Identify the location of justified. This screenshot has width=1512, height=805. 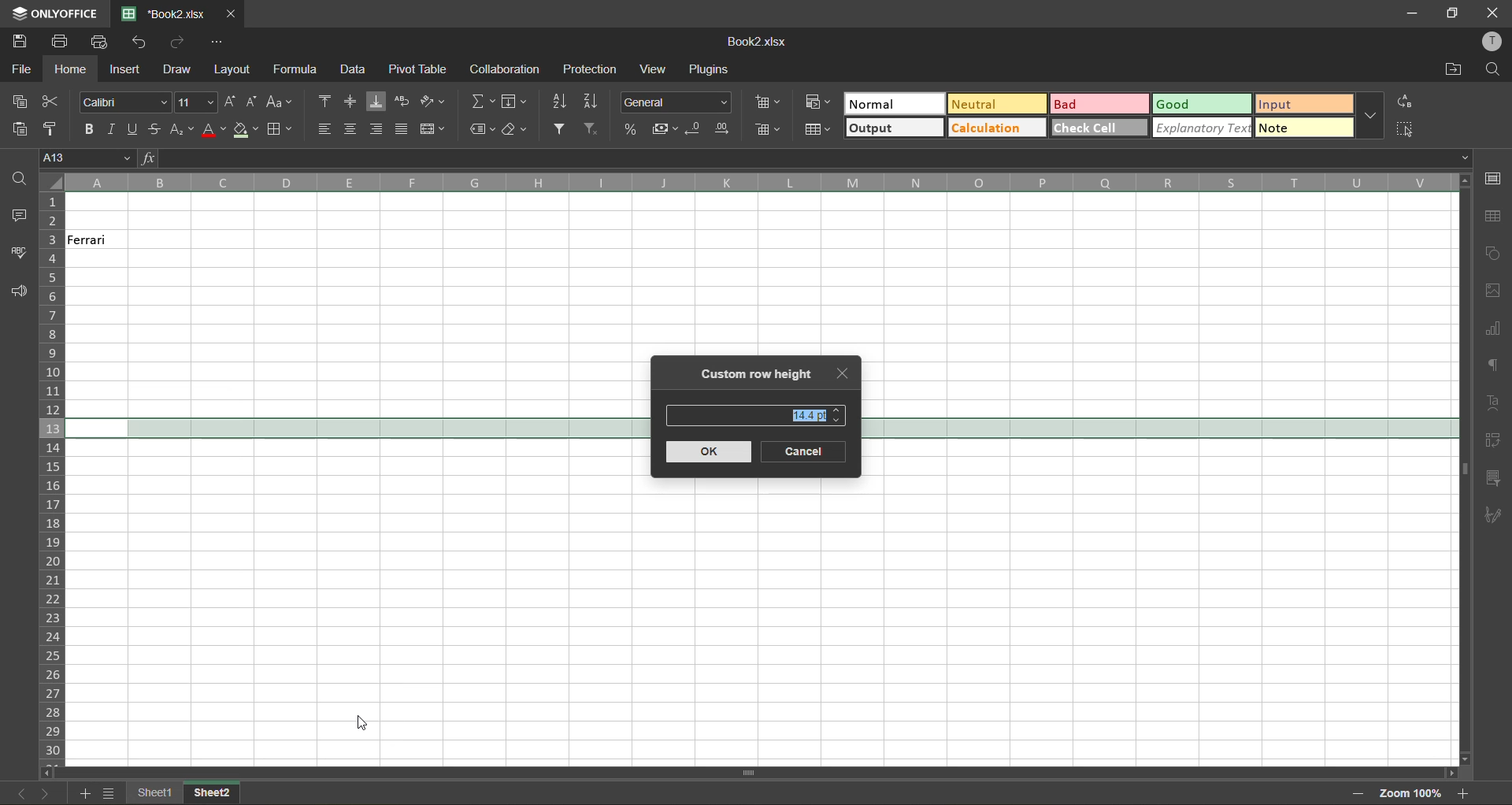
(402, 128).